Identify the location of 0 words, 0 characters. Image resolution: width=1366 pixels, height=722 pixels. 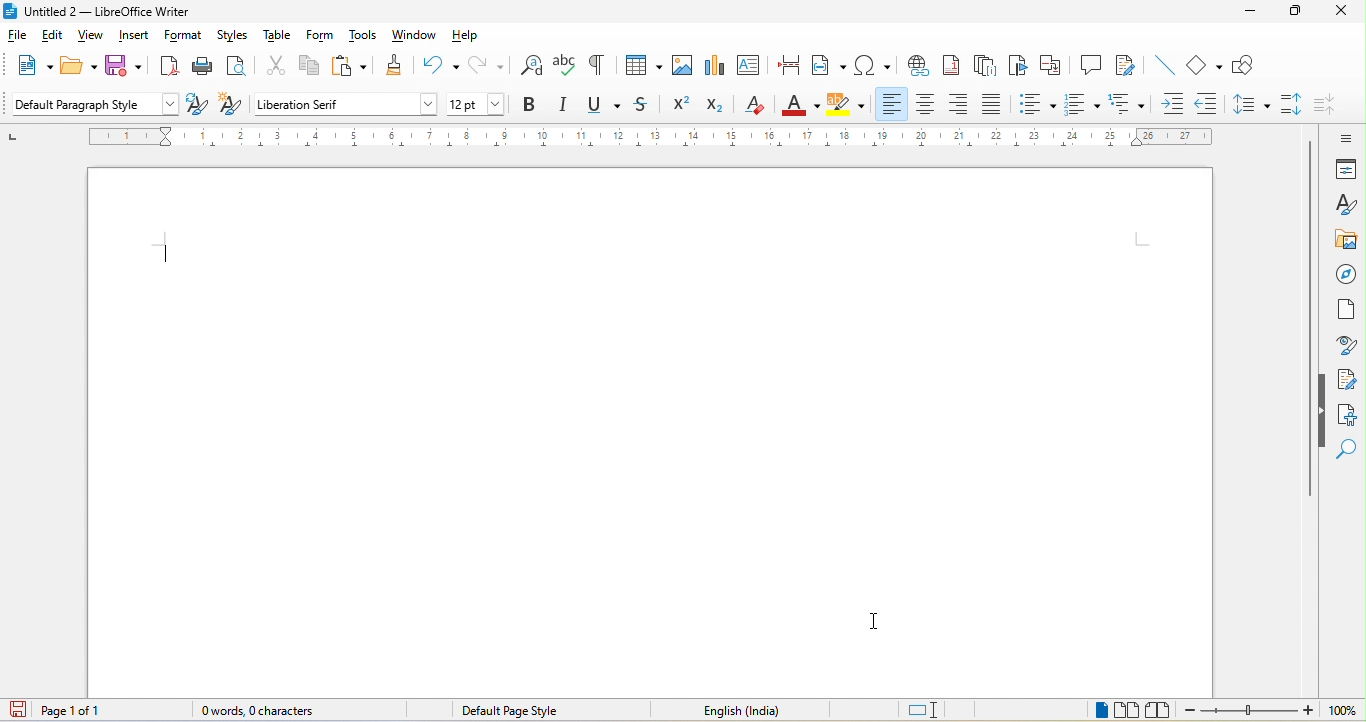
(268, 712).